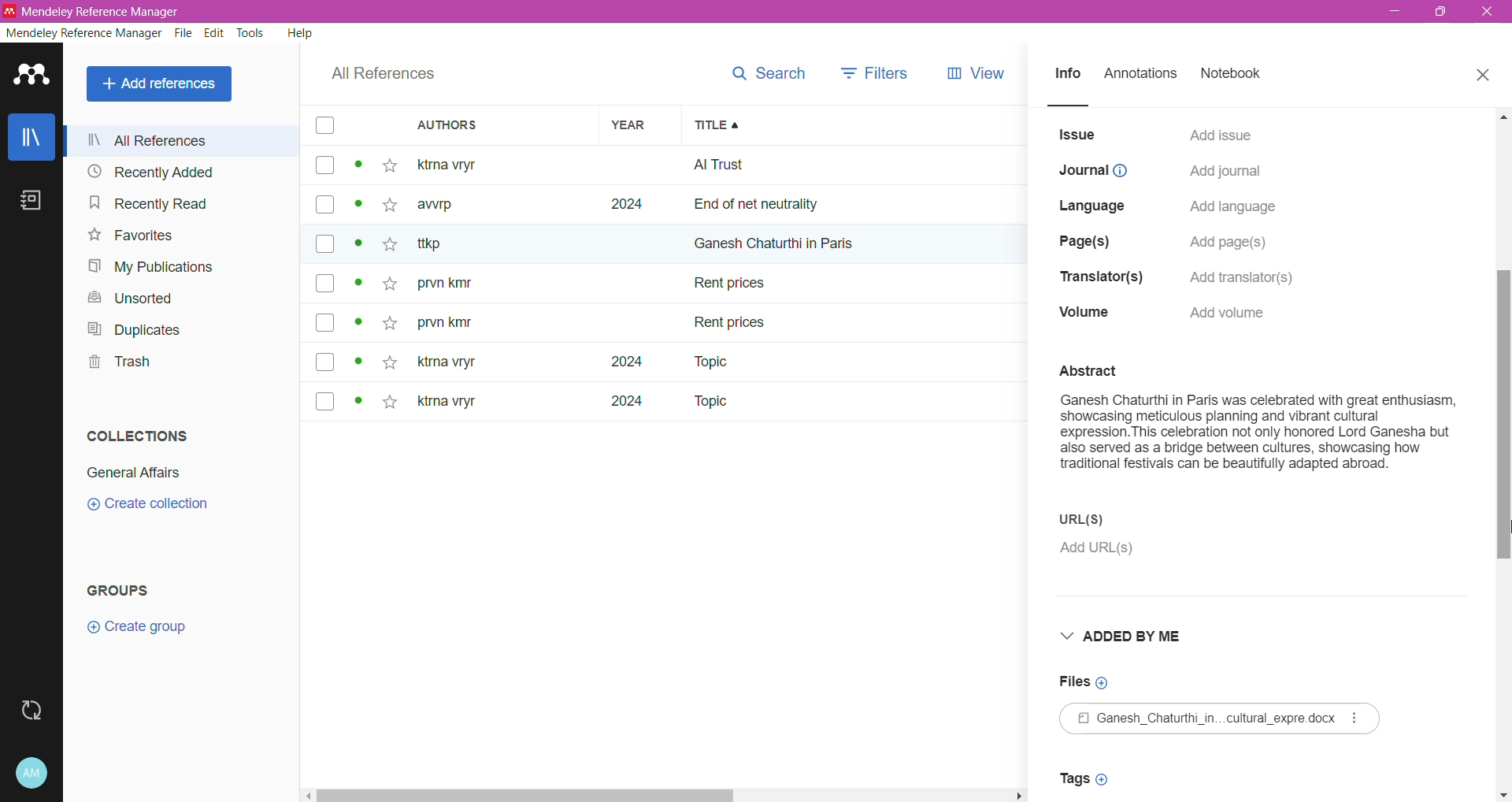 This screenshot has height=802, width=1512. What do you see at coordinates (149, 204) in the screenshot?
I see `Recently Read` at bounding box center [149, 204].